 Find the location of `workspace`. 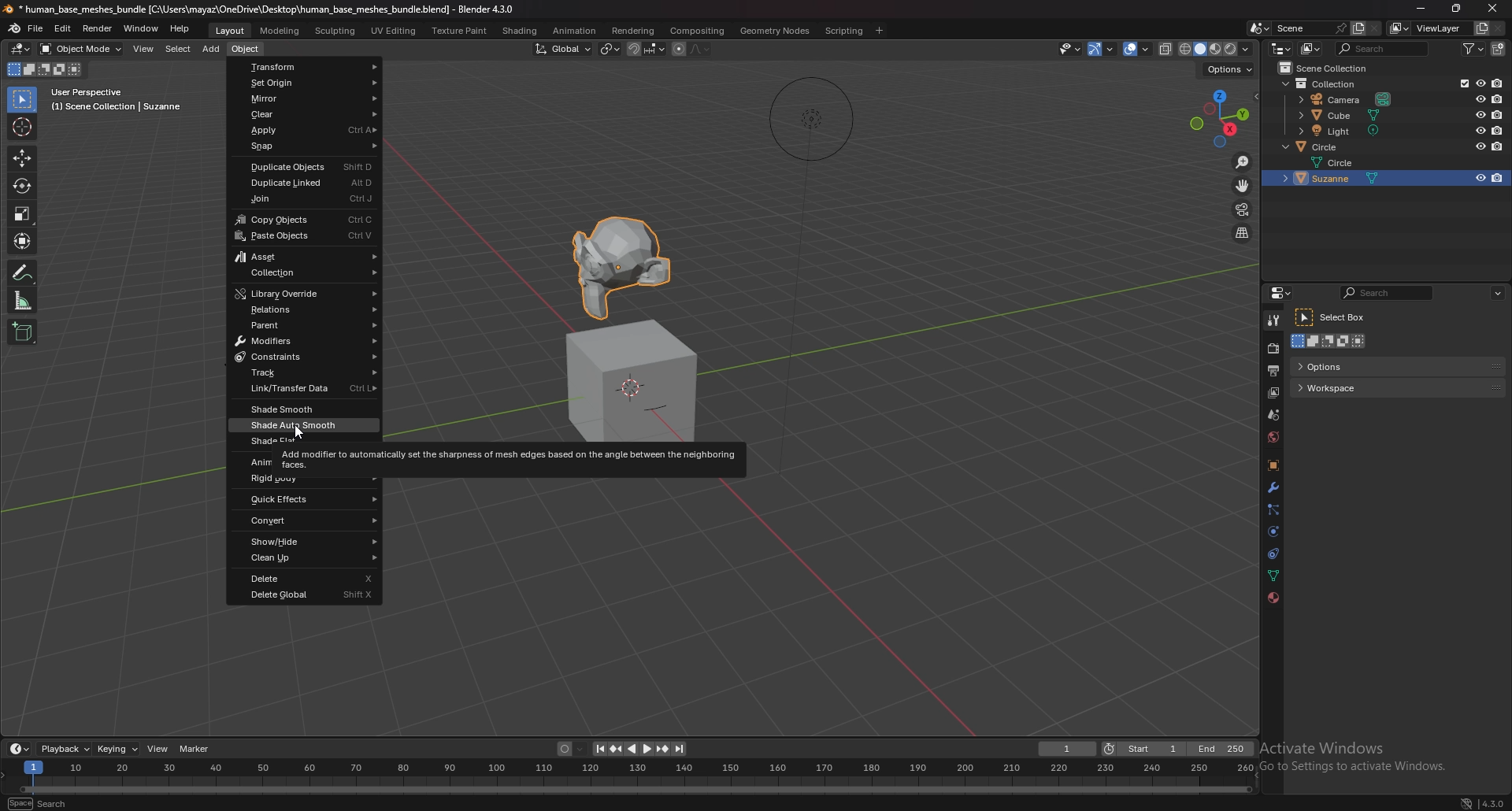

workspace is located at coordinates (1347, 388).